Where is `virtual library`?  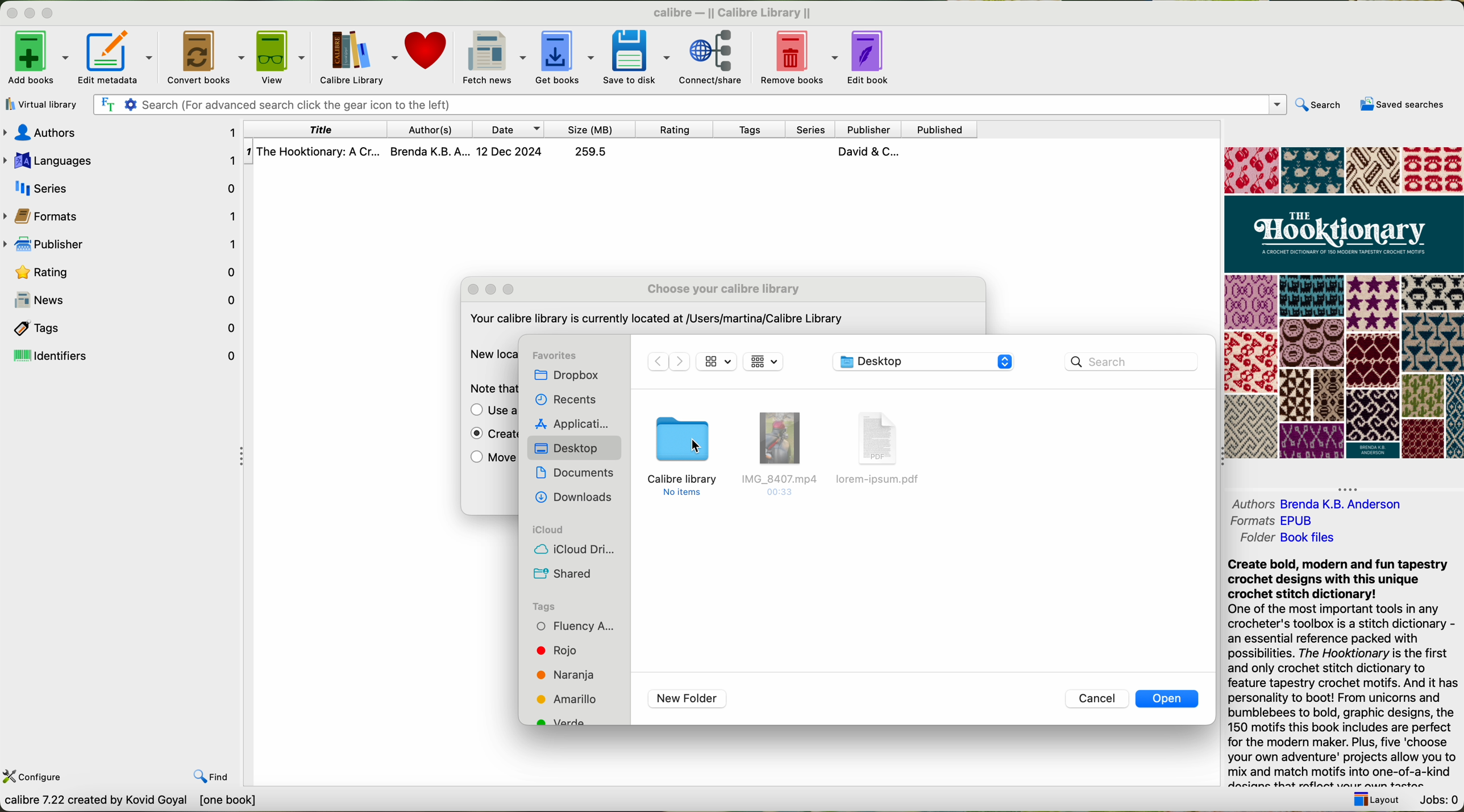 virtual library is located at coordinates (40, 105).